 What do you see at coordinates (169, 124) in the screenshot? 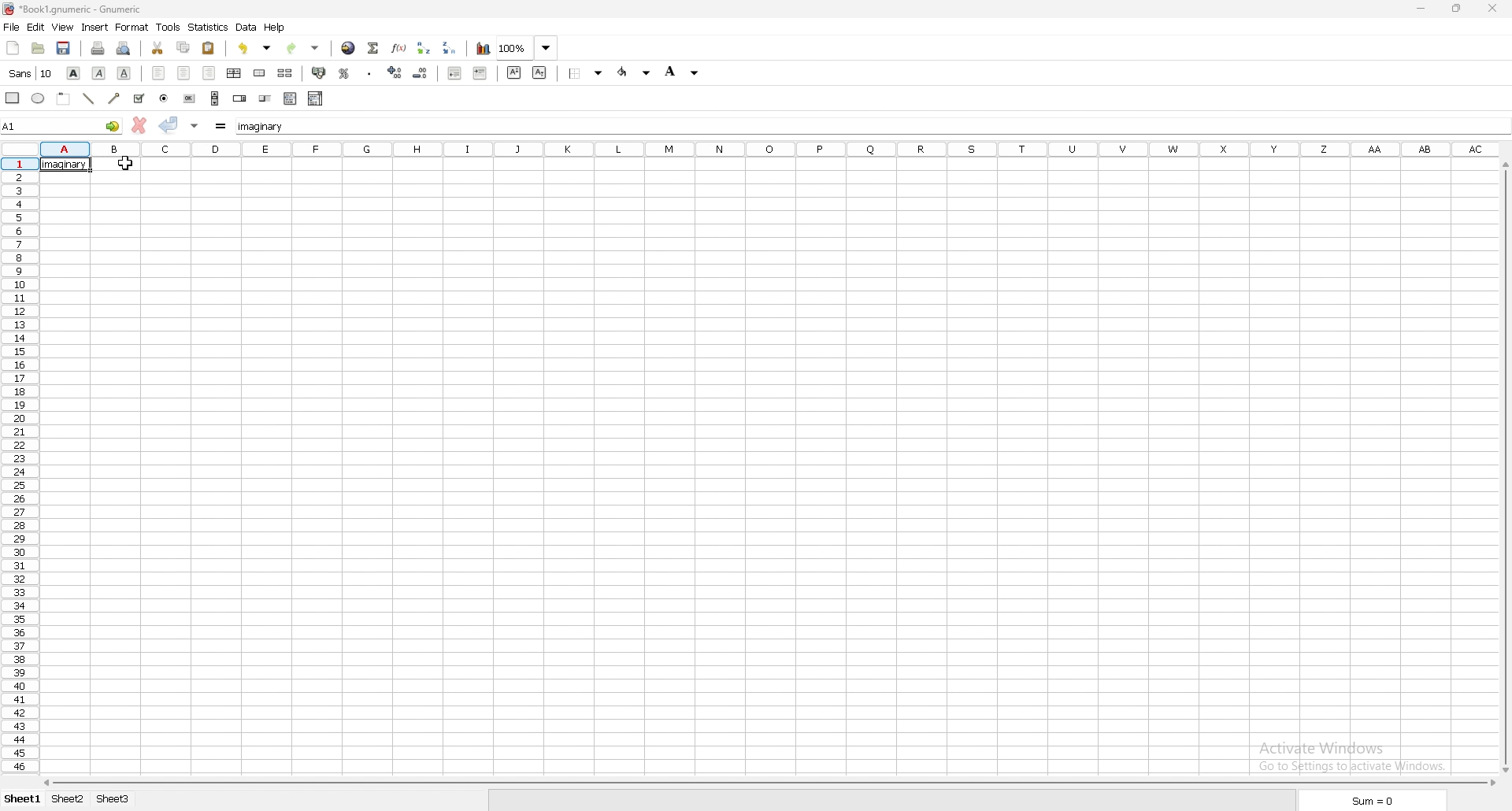
I see `accept changes` at bounding box center [169, 124].